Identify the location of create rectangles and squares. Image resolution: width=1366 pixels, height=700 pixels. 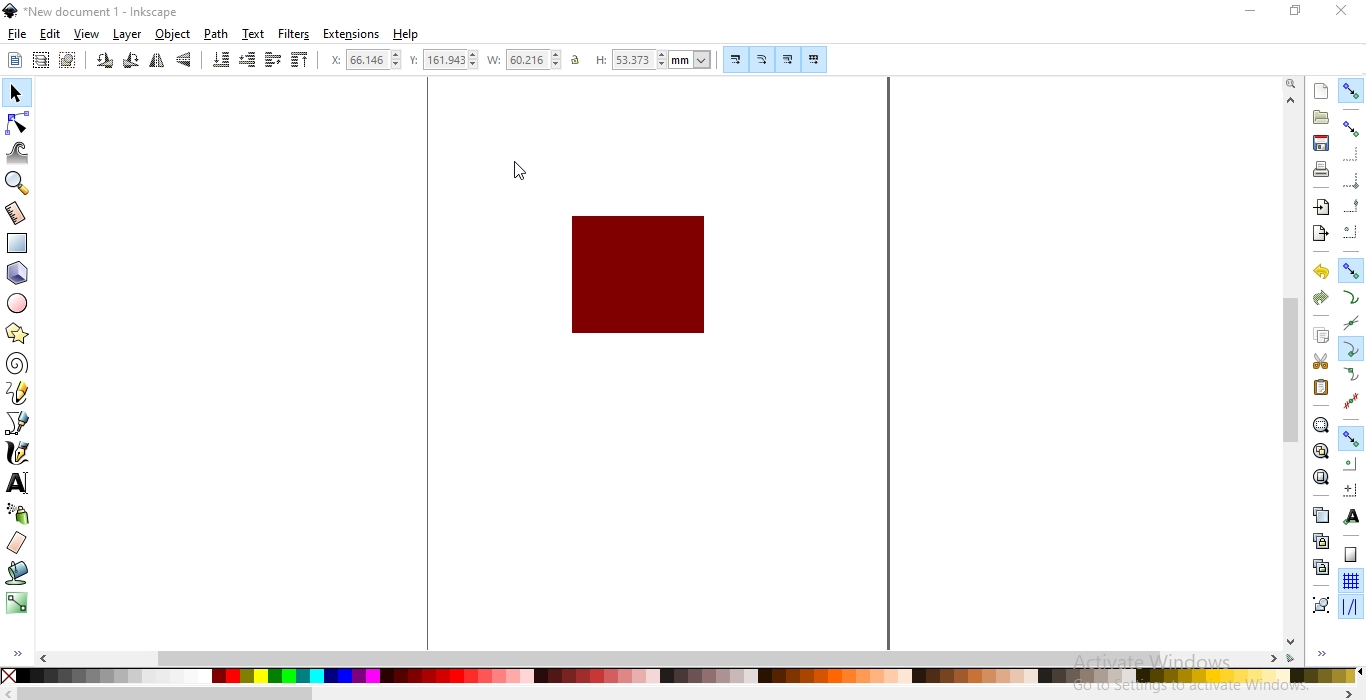
(20, 244).